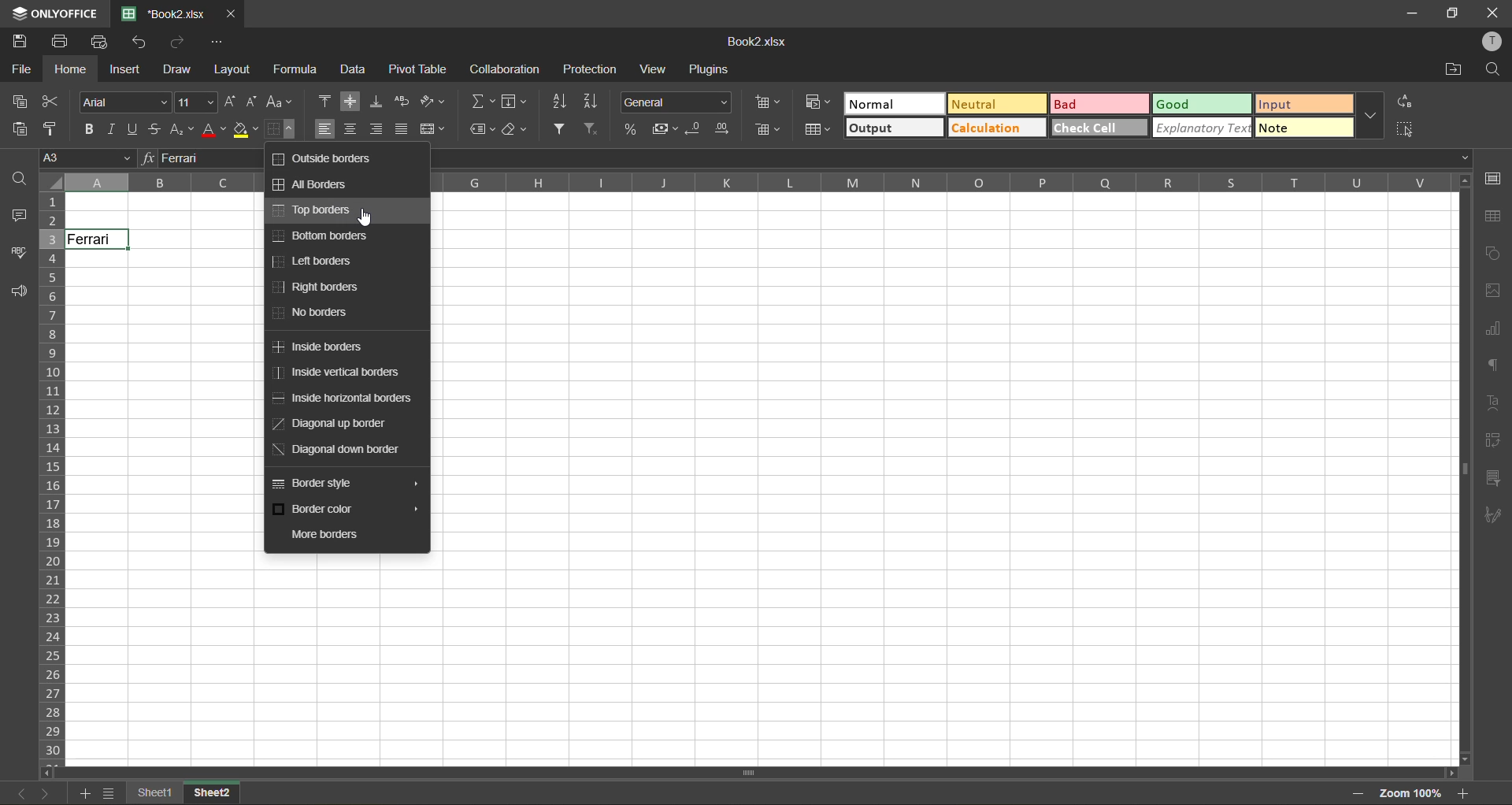 This screenshot has width=1512, height=805. What do you see at coordinates (280, 101) in the screenshot?
I see `change case` at bounding box center [280, 101].